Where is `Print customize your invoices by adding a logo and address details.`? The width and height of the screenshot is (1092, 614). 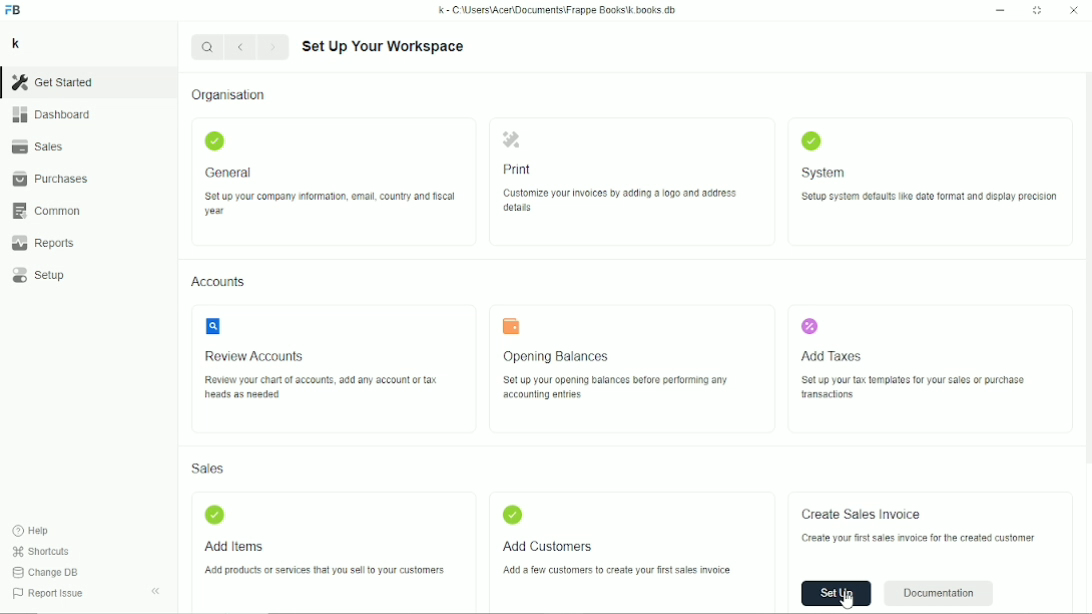 Print customize your invoices by adding a logo and address details. is located at coordinates (615, 168).